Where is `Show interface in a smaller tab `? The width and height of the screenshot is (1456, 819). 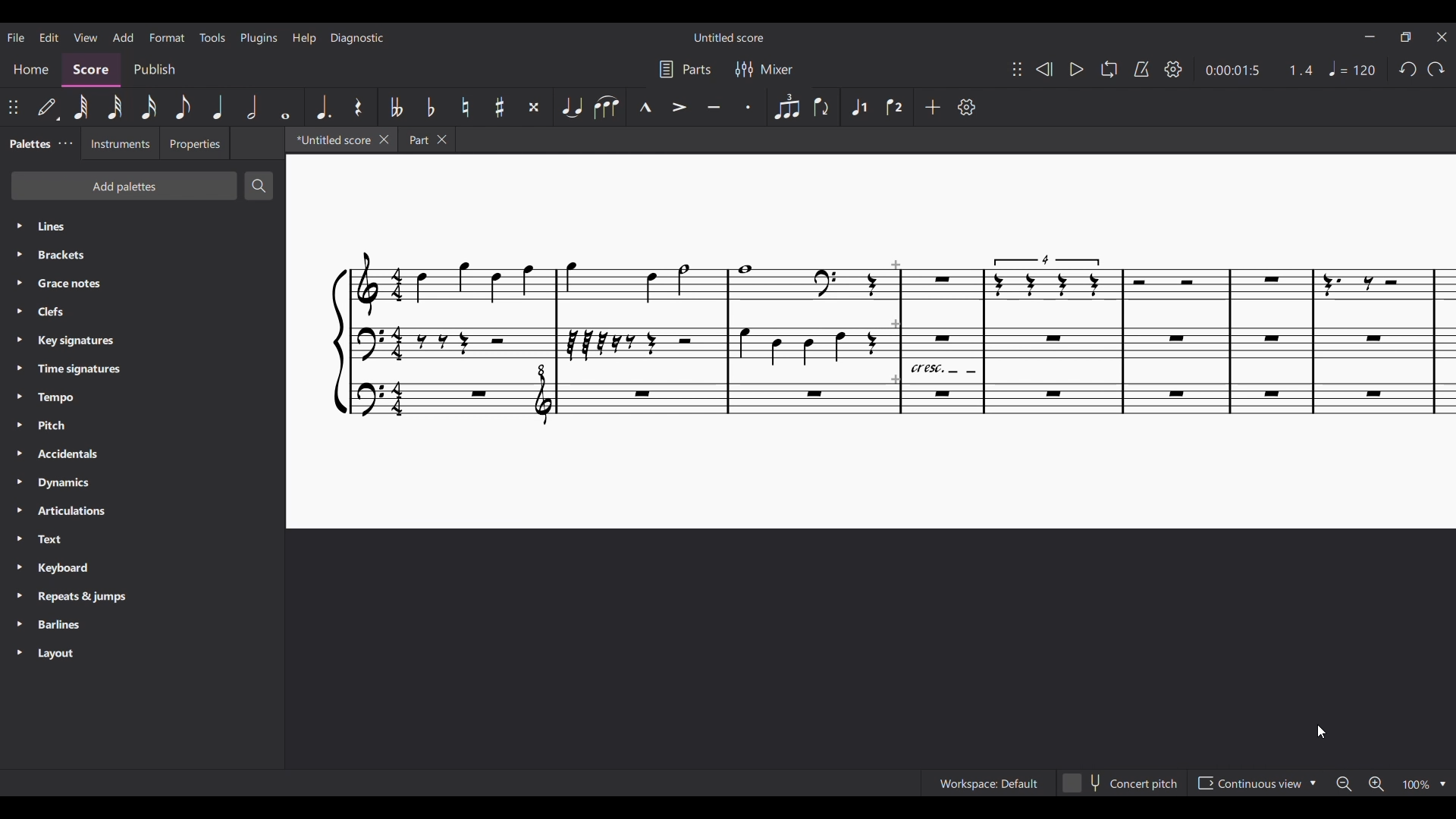
Show interface in a smaller tab  is located at coordinates (1406, 37).